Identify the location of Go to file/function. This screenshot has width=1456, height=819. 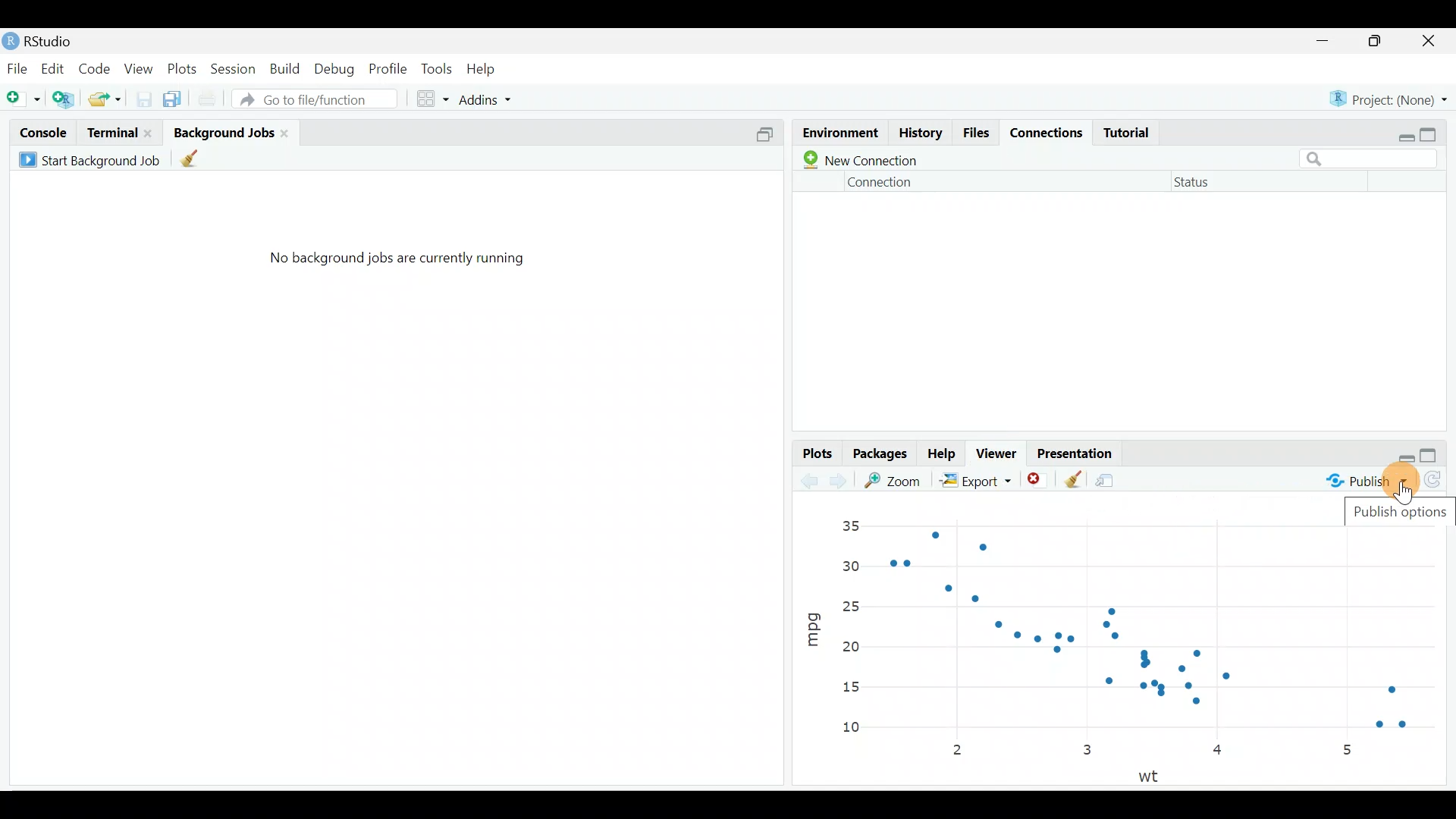
(313, 99).